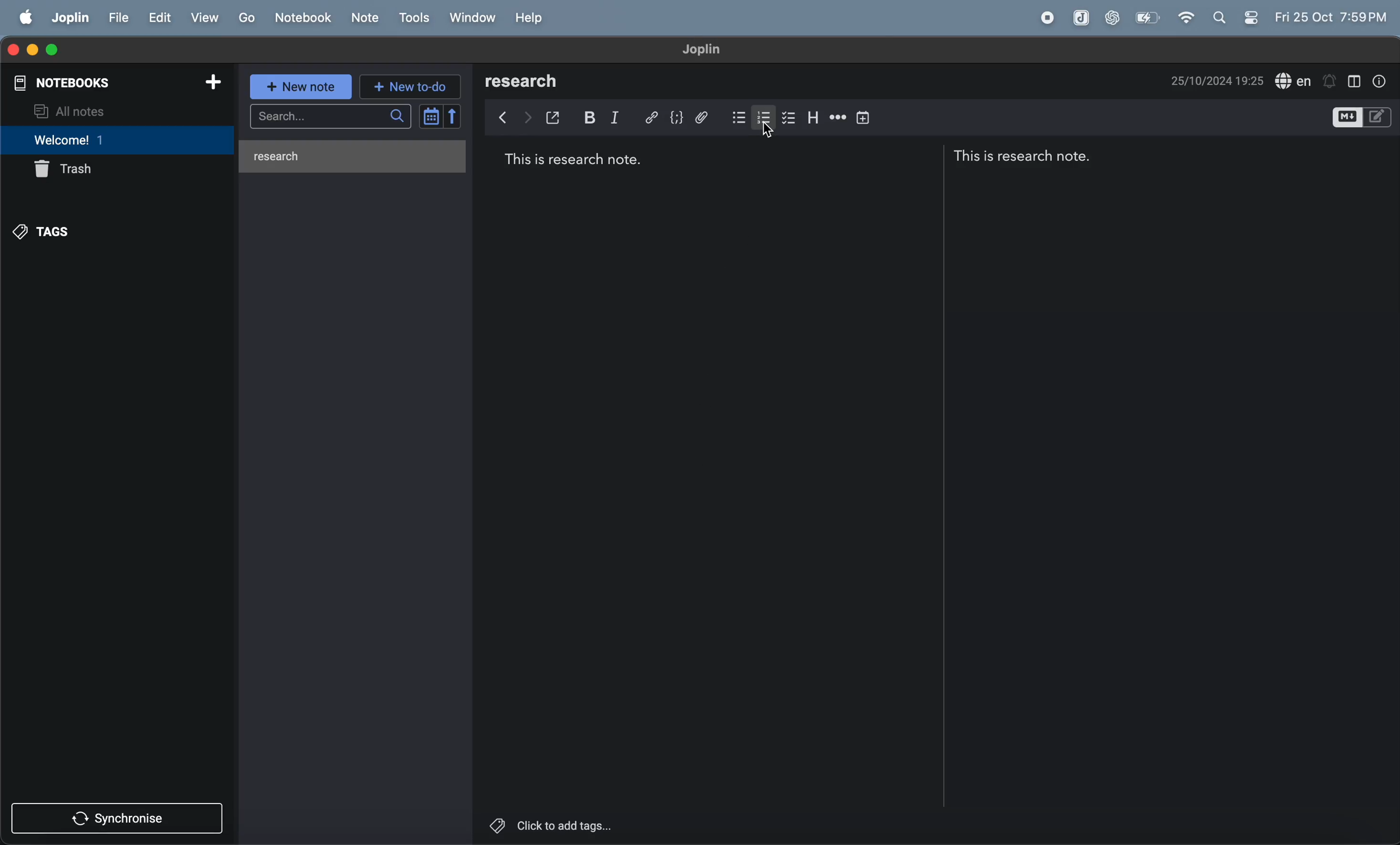  What do you see at coordinates (705, 117) in the screenshot?
I see `attach file` at bounding box center [705, 117].